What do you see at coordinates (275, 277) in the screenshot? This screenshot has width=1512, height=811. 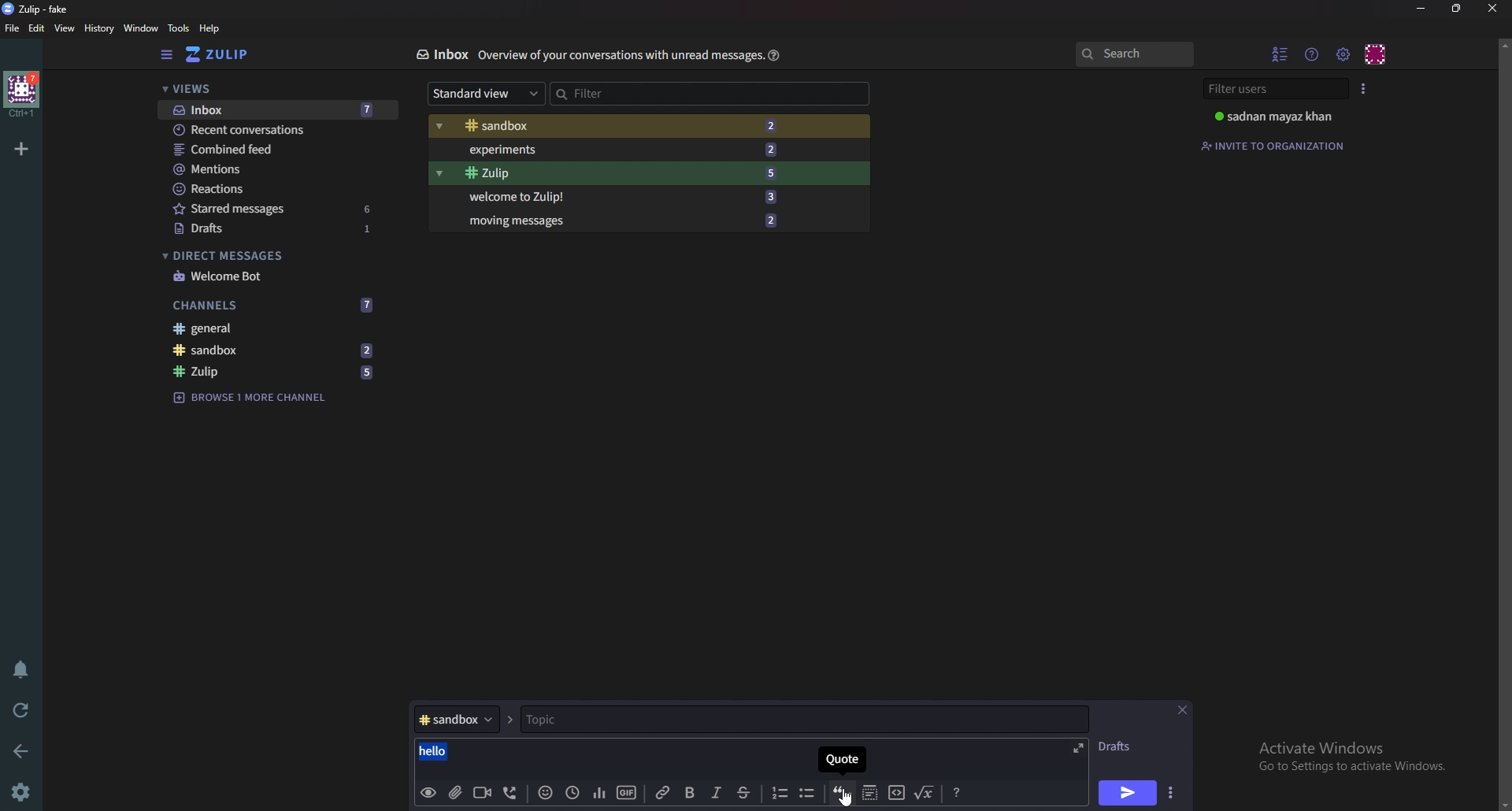 I see `Welcome bot` at bounding box center [275, 277].